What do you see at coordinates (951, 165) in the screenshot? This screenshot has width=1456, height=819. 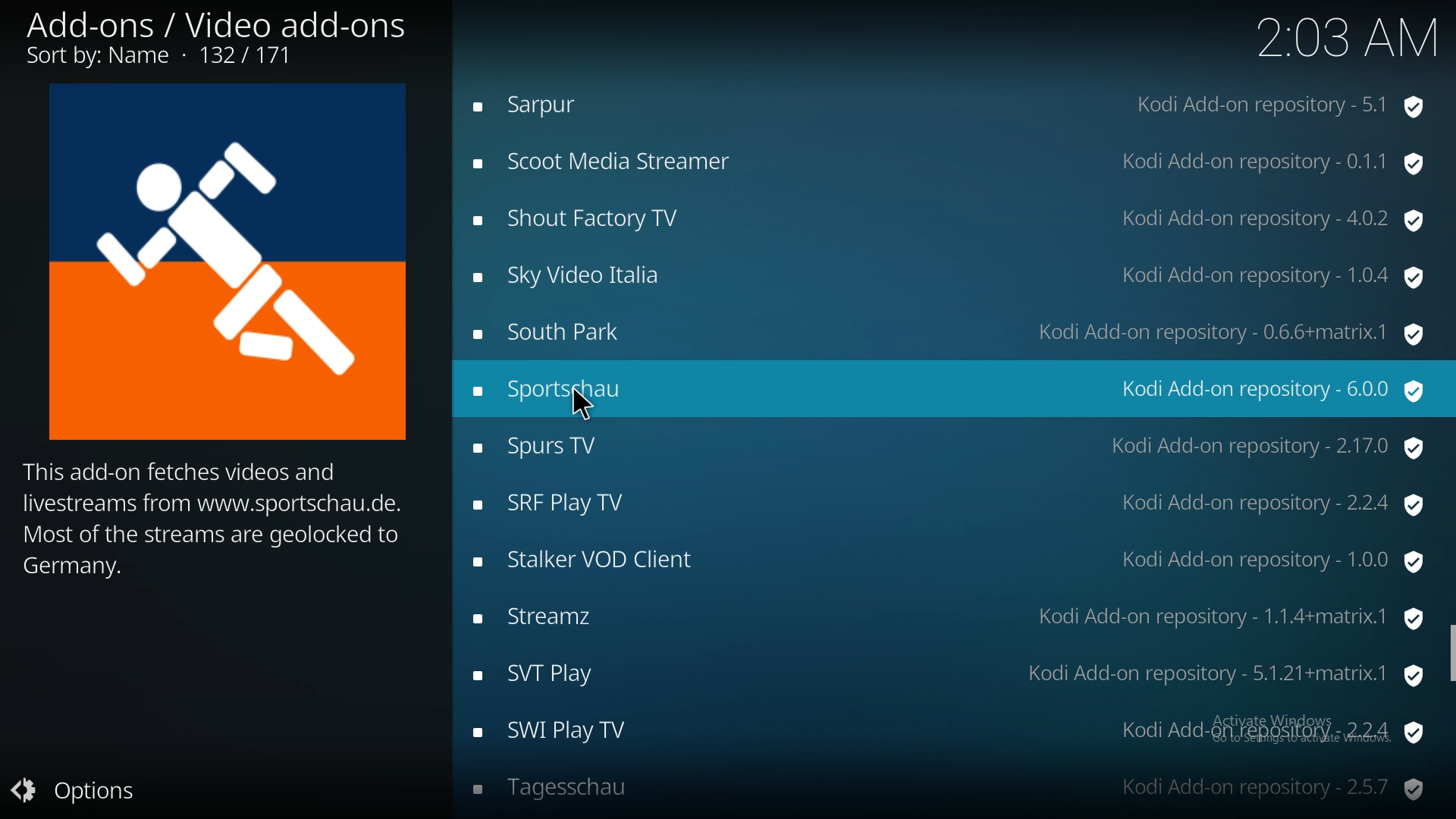 I see `scoot media streamer` at bounding box center [951, 165].